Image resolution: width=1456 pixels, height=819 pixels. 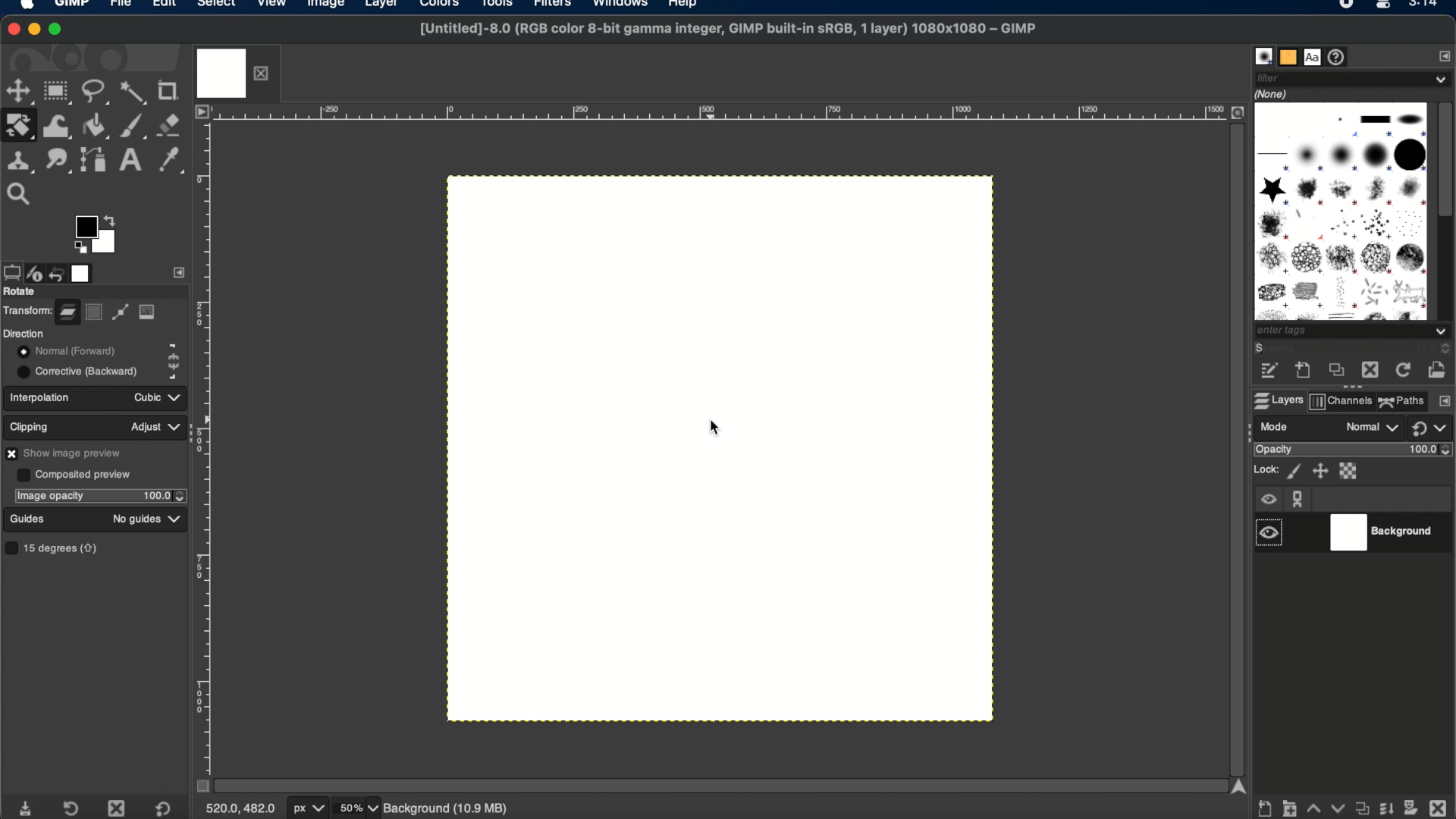 I want to click on save tool preset, so click(x=28, y=807).